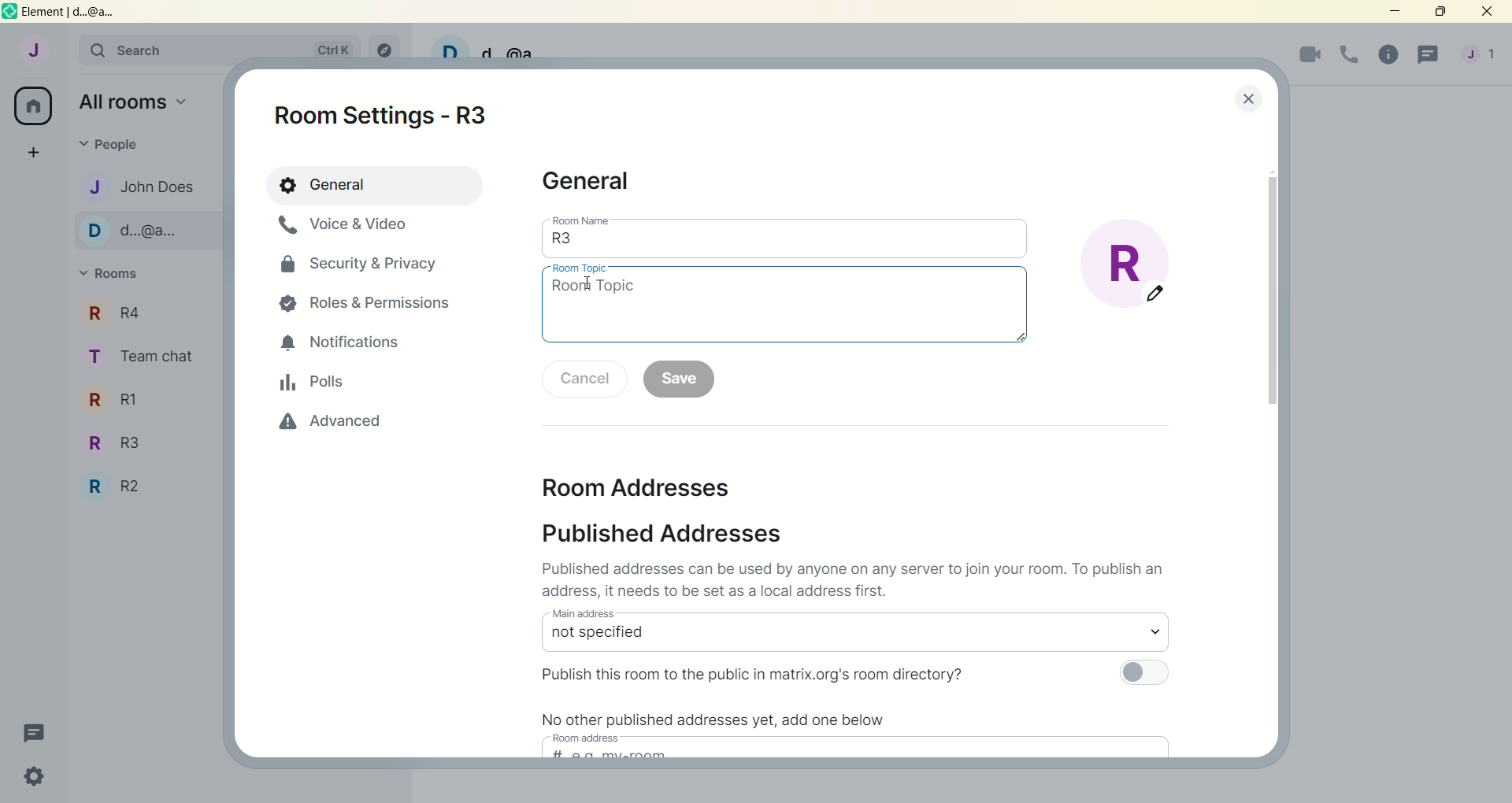 The height and width of the screenshot is (803, 1512). Describe the element at coordinates (1480, 56) in the screenshot. I see `account menu` at that location.